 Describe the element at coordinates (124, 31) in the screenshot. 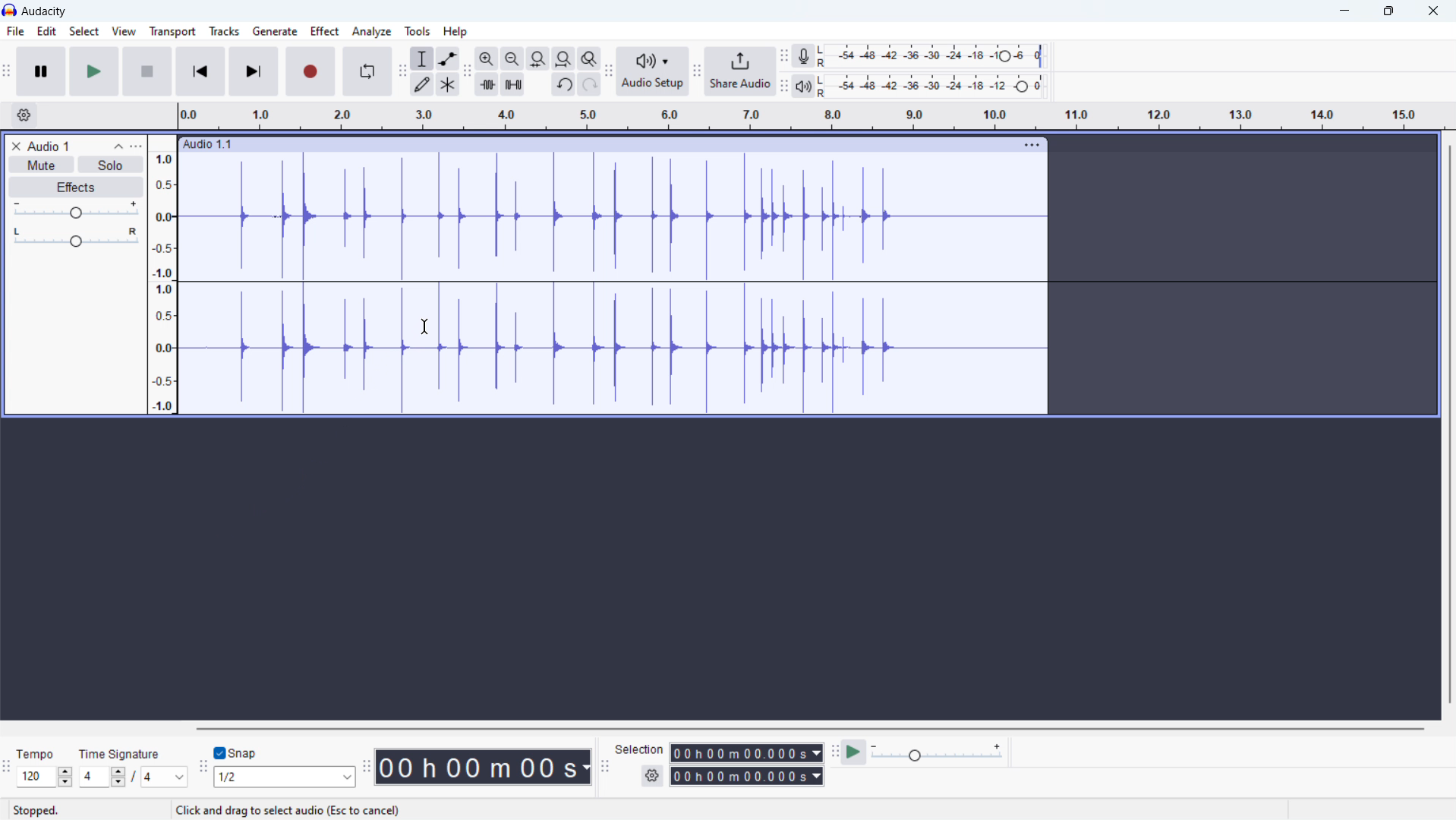

I see `view` at that location.